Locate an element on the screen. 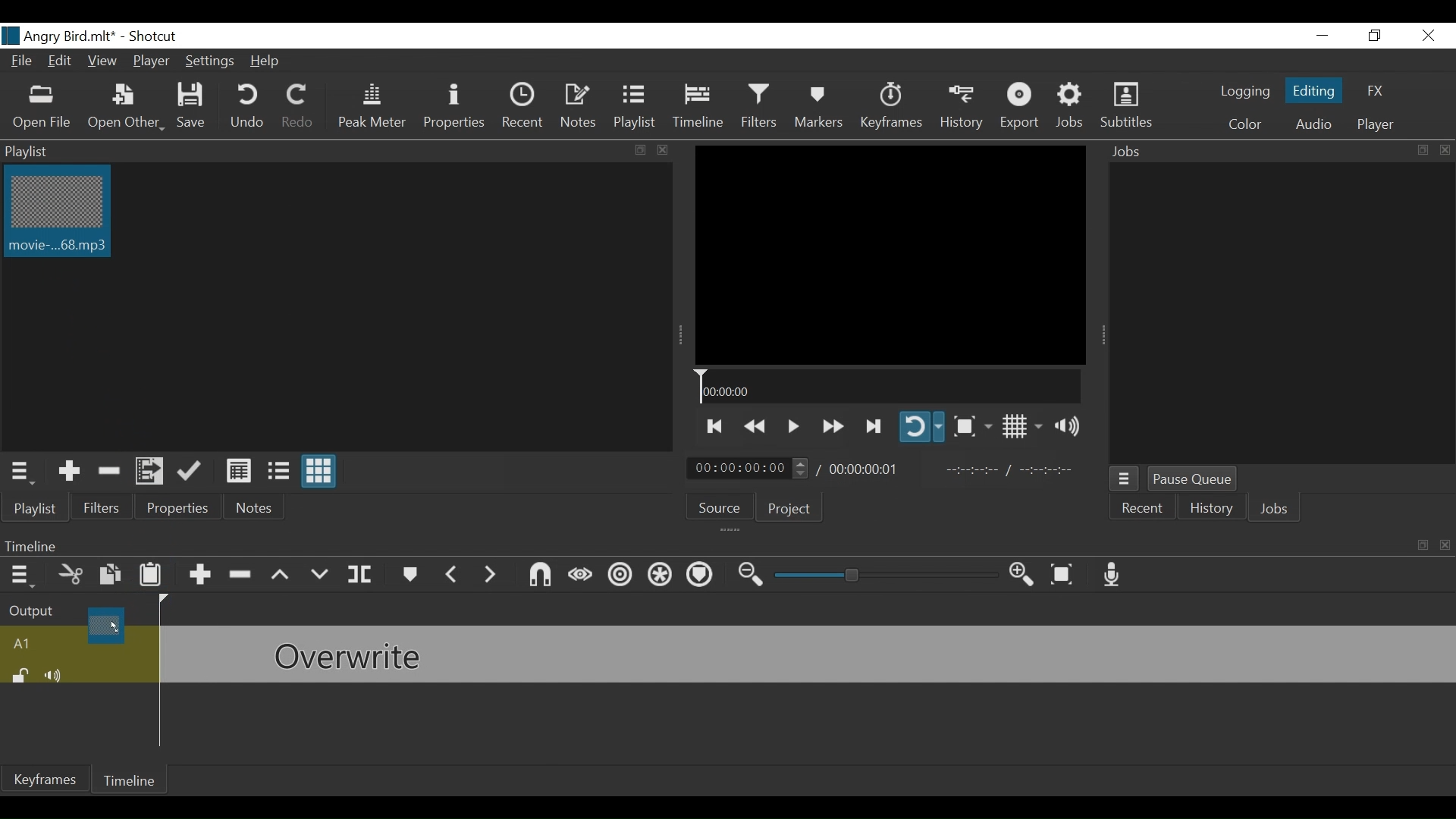 Image resolution: width=1456 pixels, height=819 pixels. Paste is located at coordinates (152, 574).